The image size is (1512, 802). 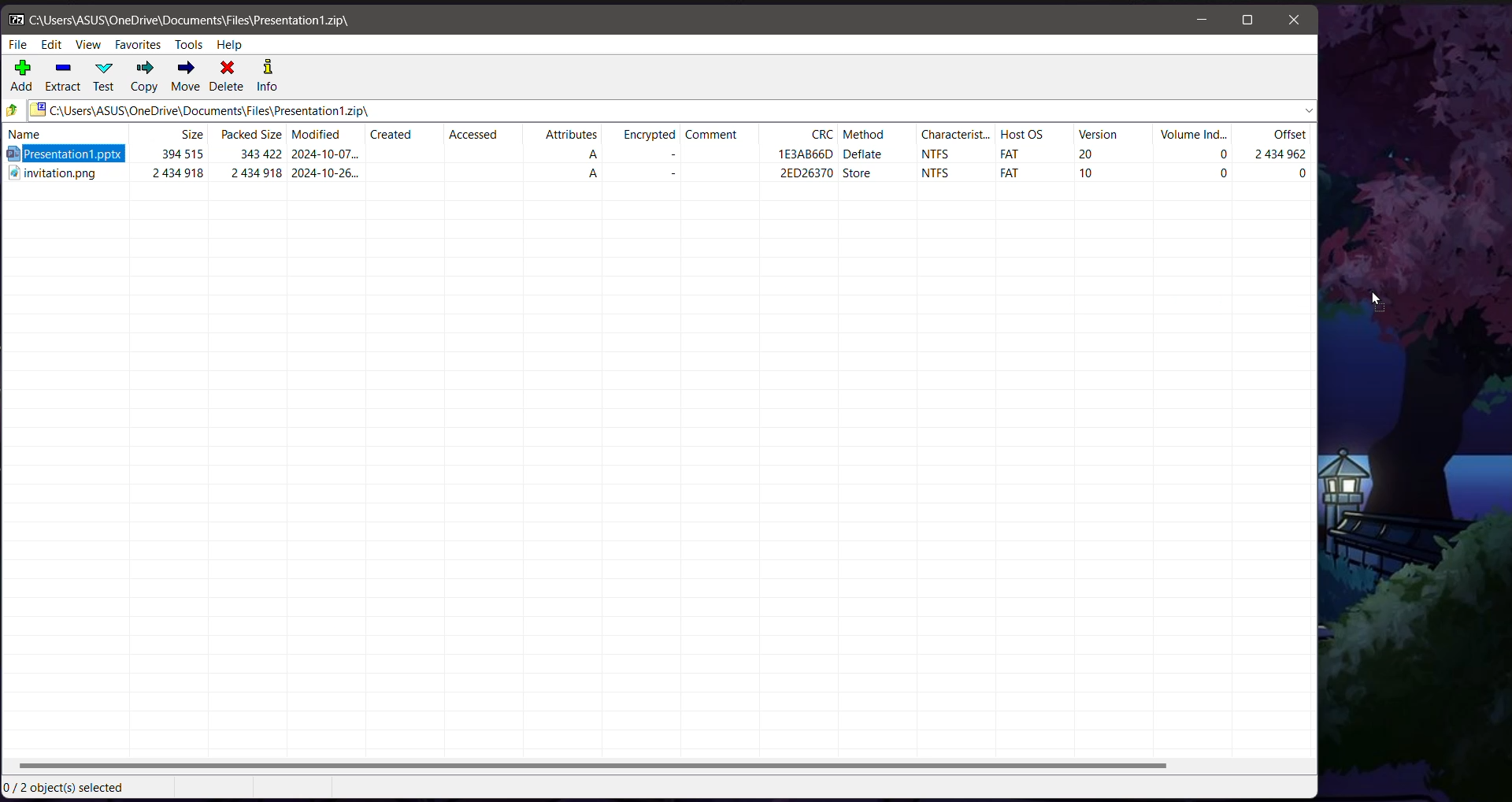 What do you see at coordinates (939, 156) in the screenshot?
I see `NTFS` at bounding box center [939, 156].